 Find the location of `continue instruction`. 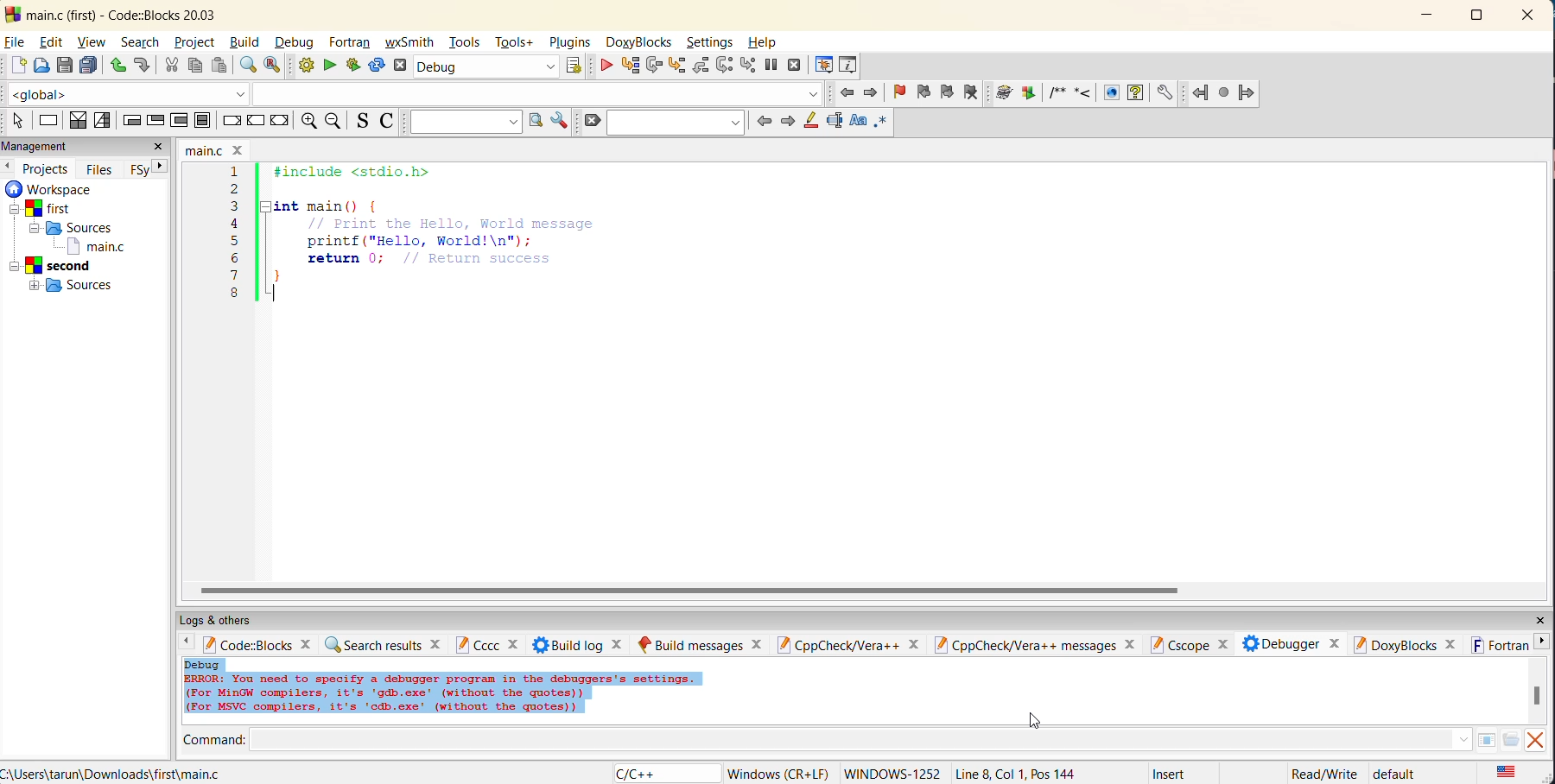

continue instruction is located at coordinates (254, 121).